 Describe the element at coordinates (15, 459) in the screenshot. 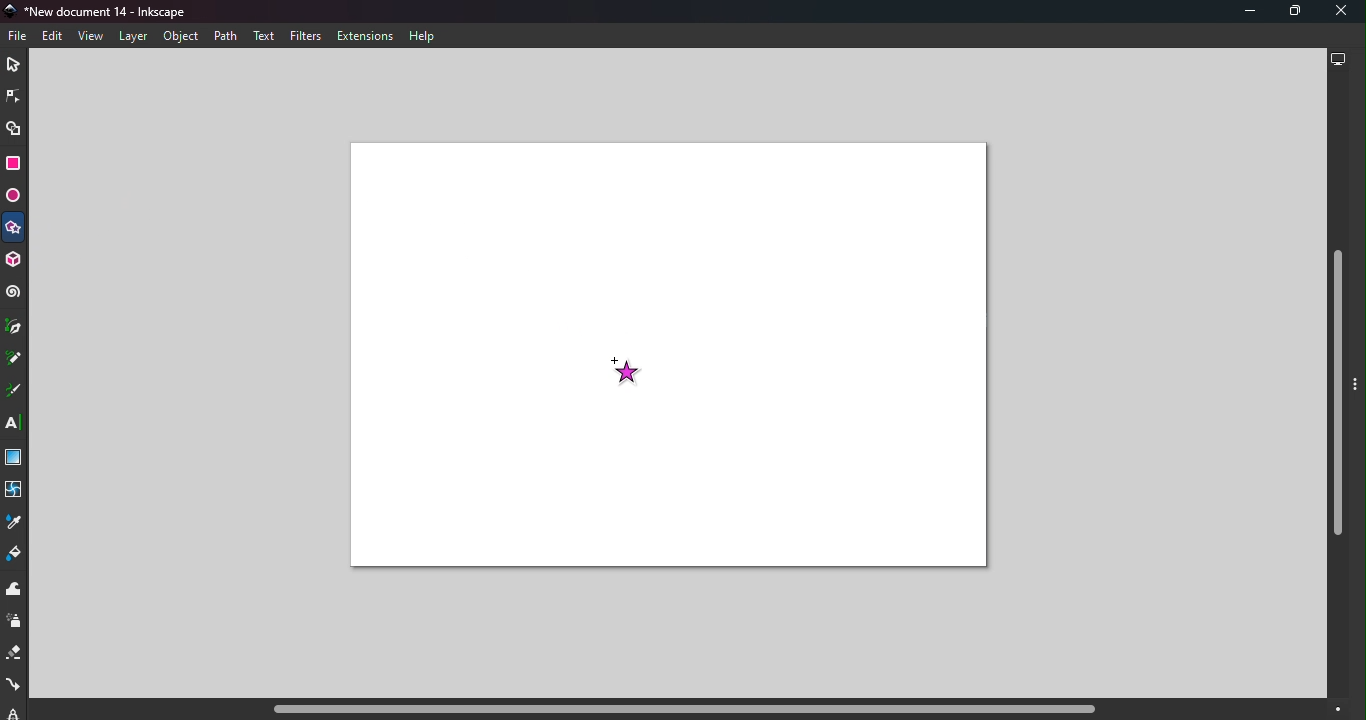

I see `Gradient tool` at that location.